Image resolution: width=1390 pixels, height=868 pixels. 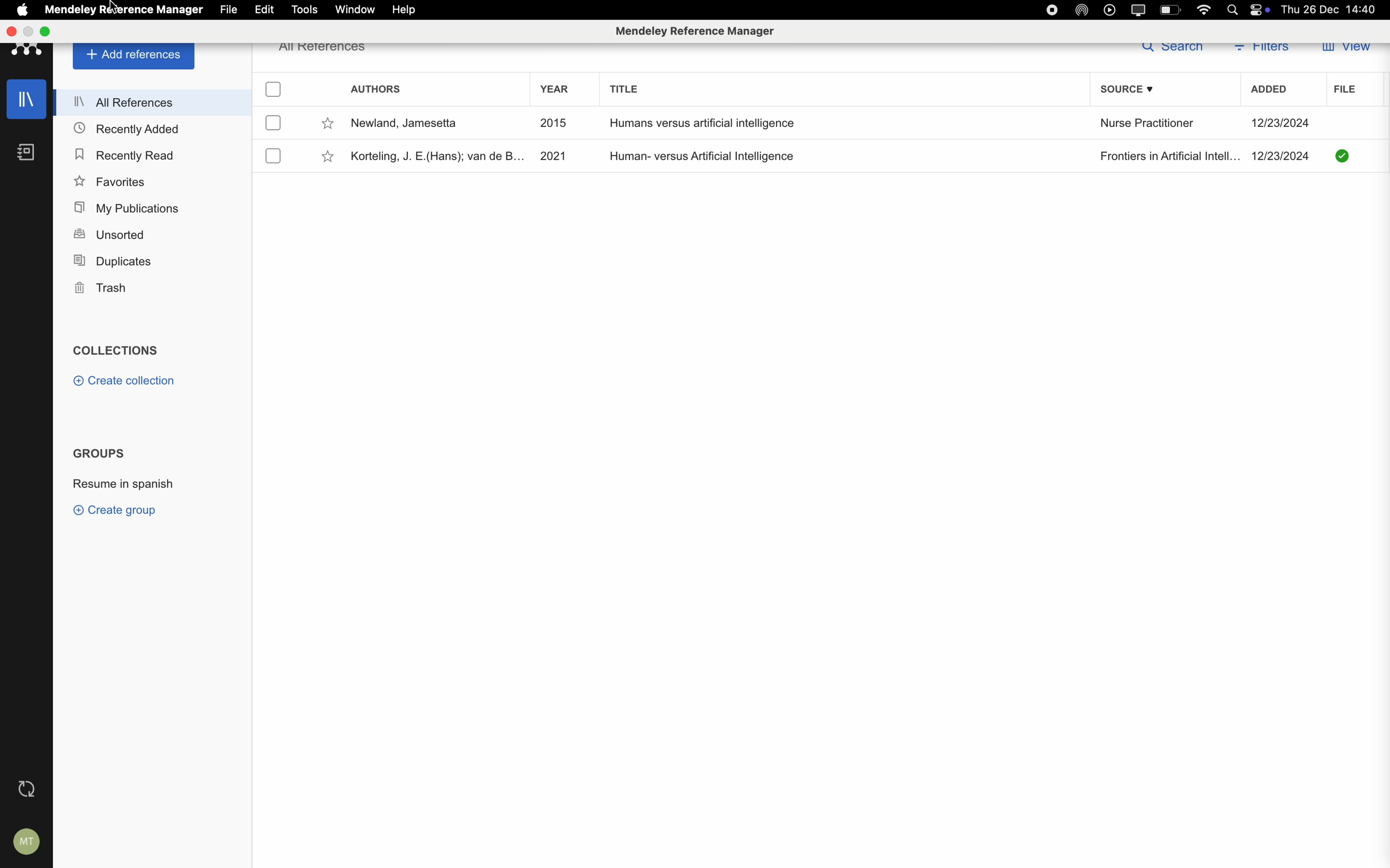 What do you see at coordinates (1129, 90) in the screenshot?
I see `source` at bounding box center [1129, 90].